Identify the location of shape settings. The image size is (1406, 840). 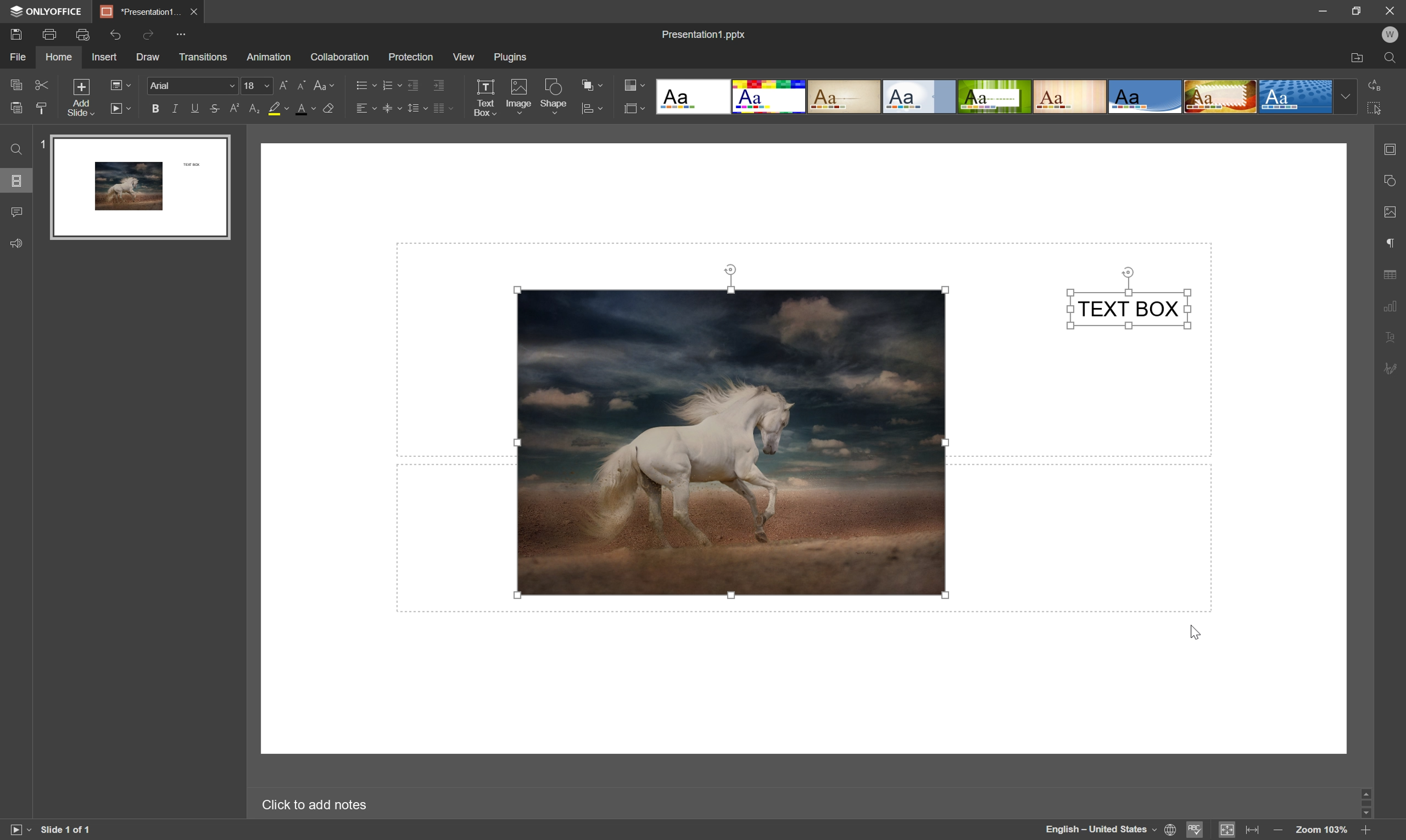
(1393, 181).